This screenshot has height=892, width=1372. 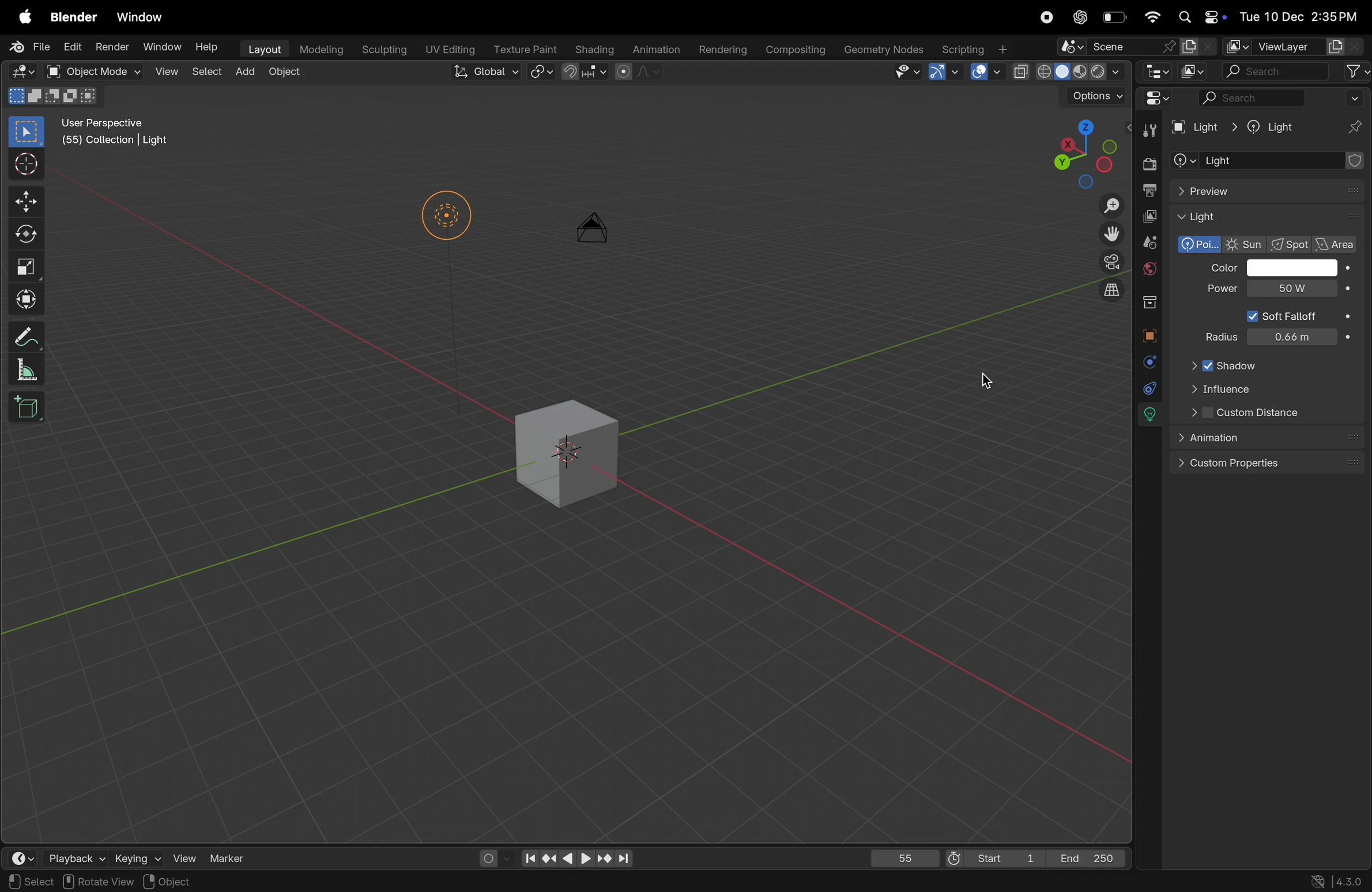 I want to click on proportional editing objects, so click(x=635, y=74).